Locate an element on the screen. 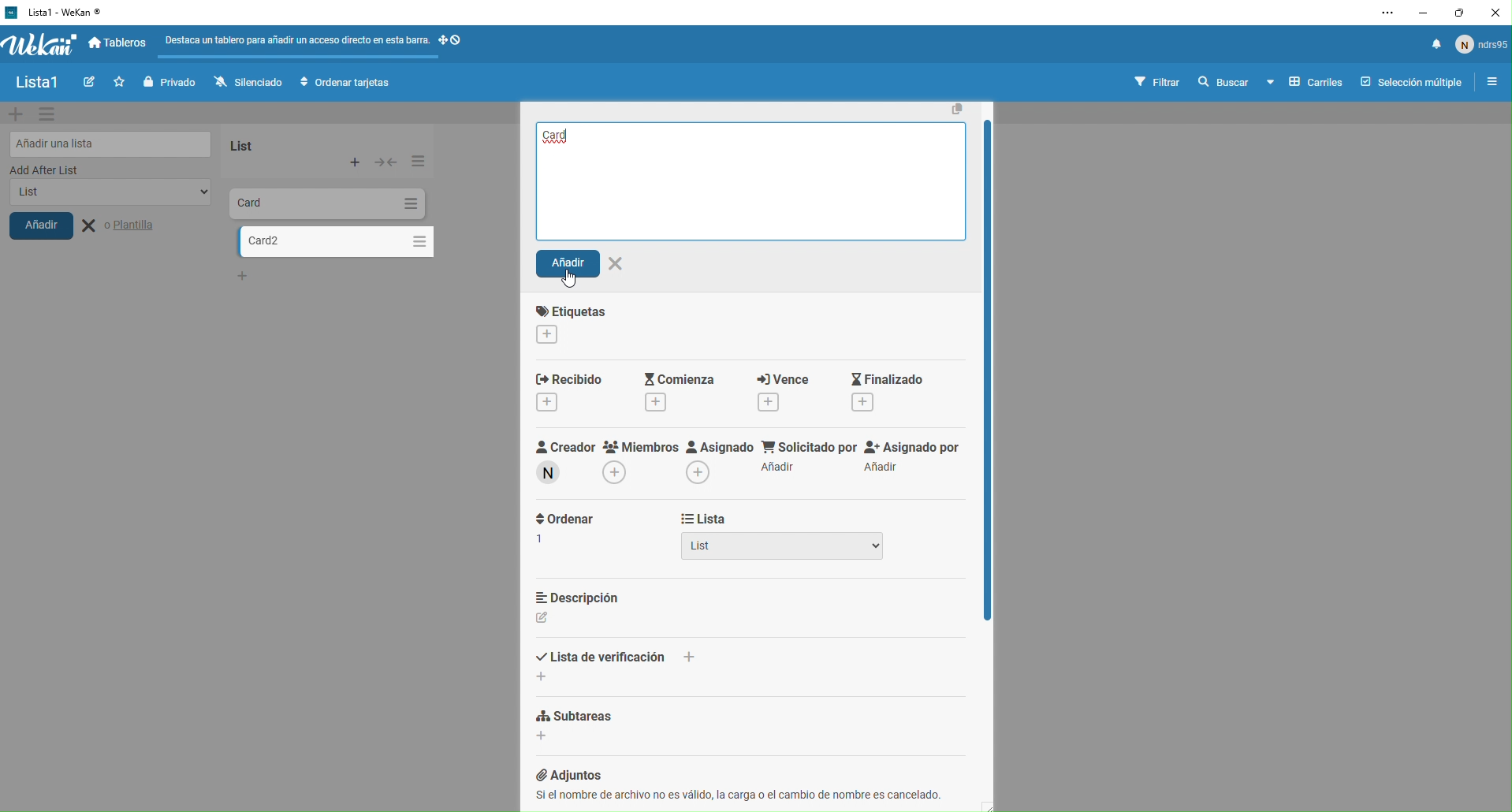  lista is located at coordinates (755, 518).